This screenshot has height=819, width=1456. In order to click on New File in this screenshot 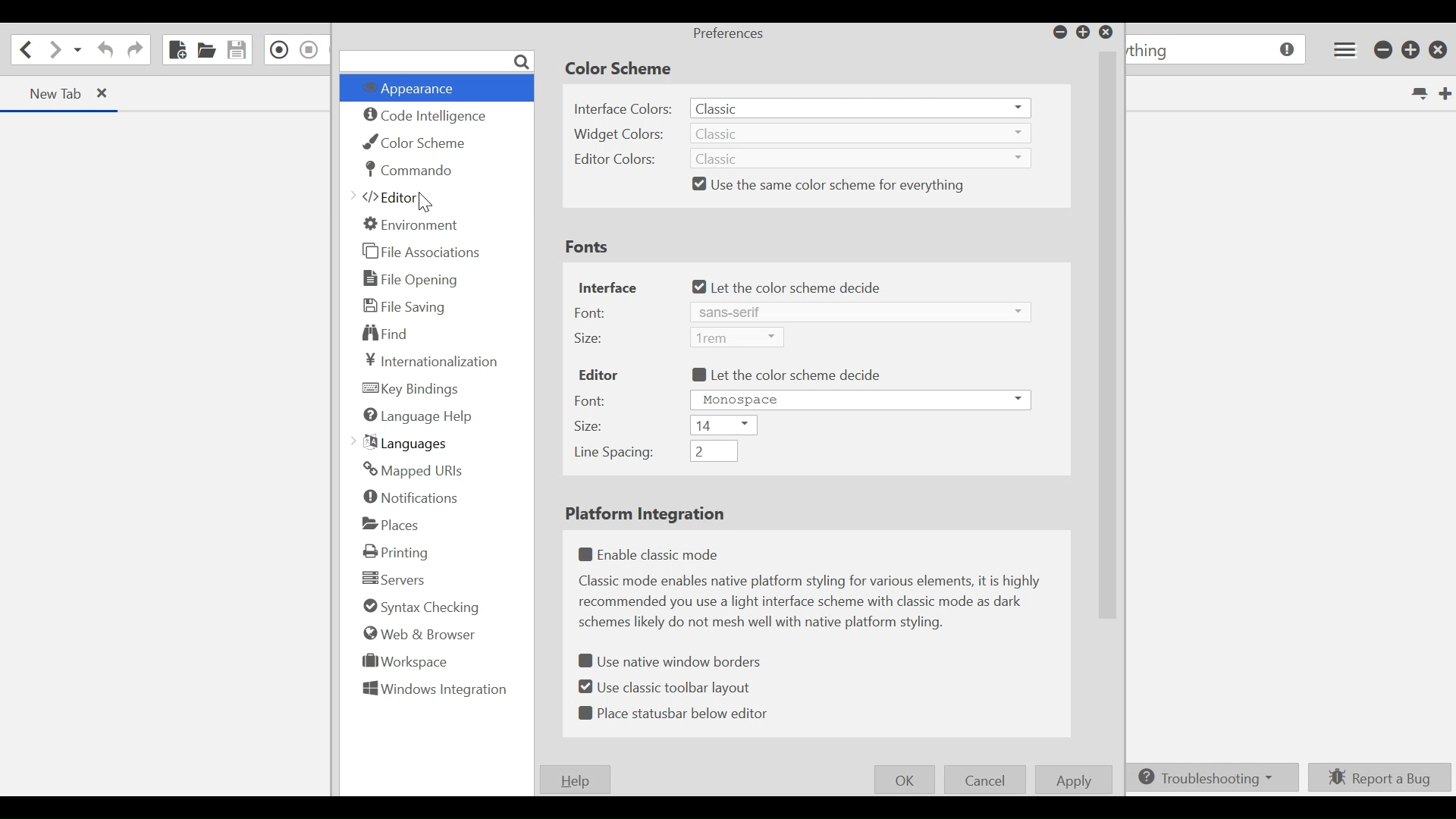, I will do `click(177, 49)`.